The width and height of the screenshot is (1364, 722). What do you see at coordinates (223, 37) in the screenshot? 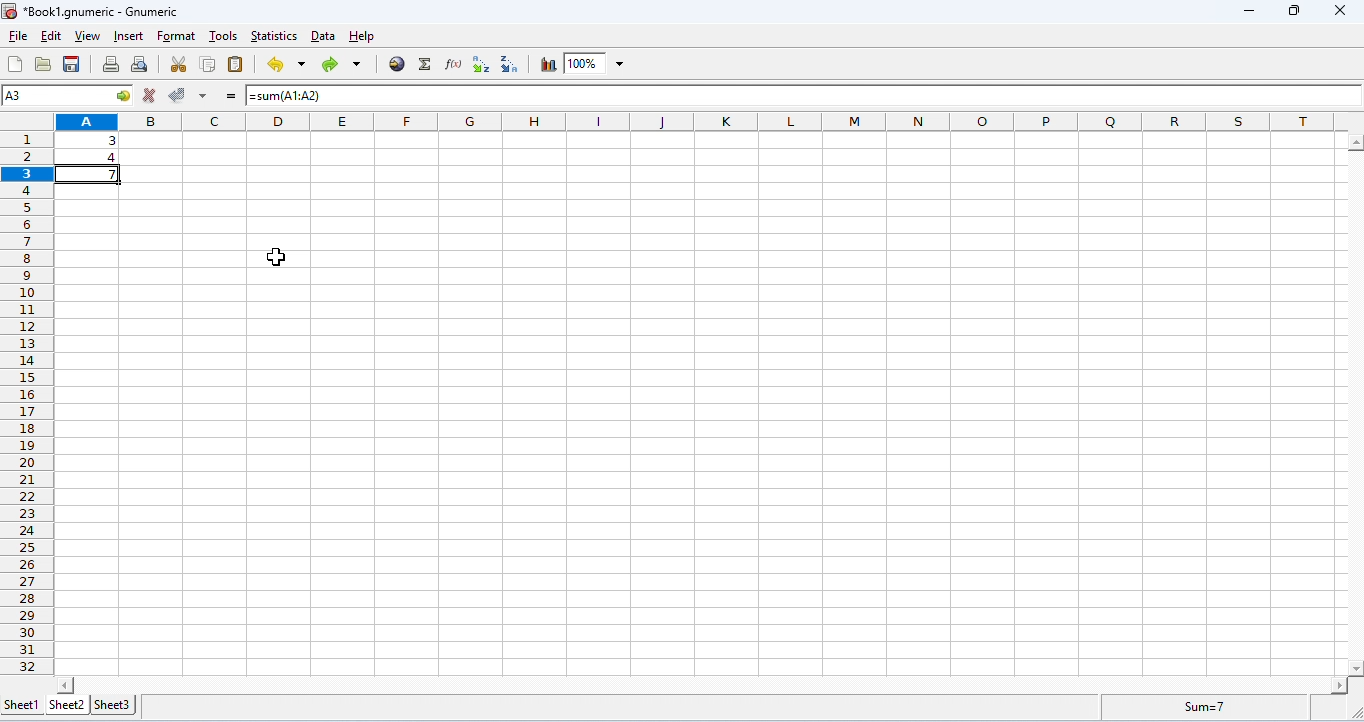
I see `tools` at bounding box center [223, 37].